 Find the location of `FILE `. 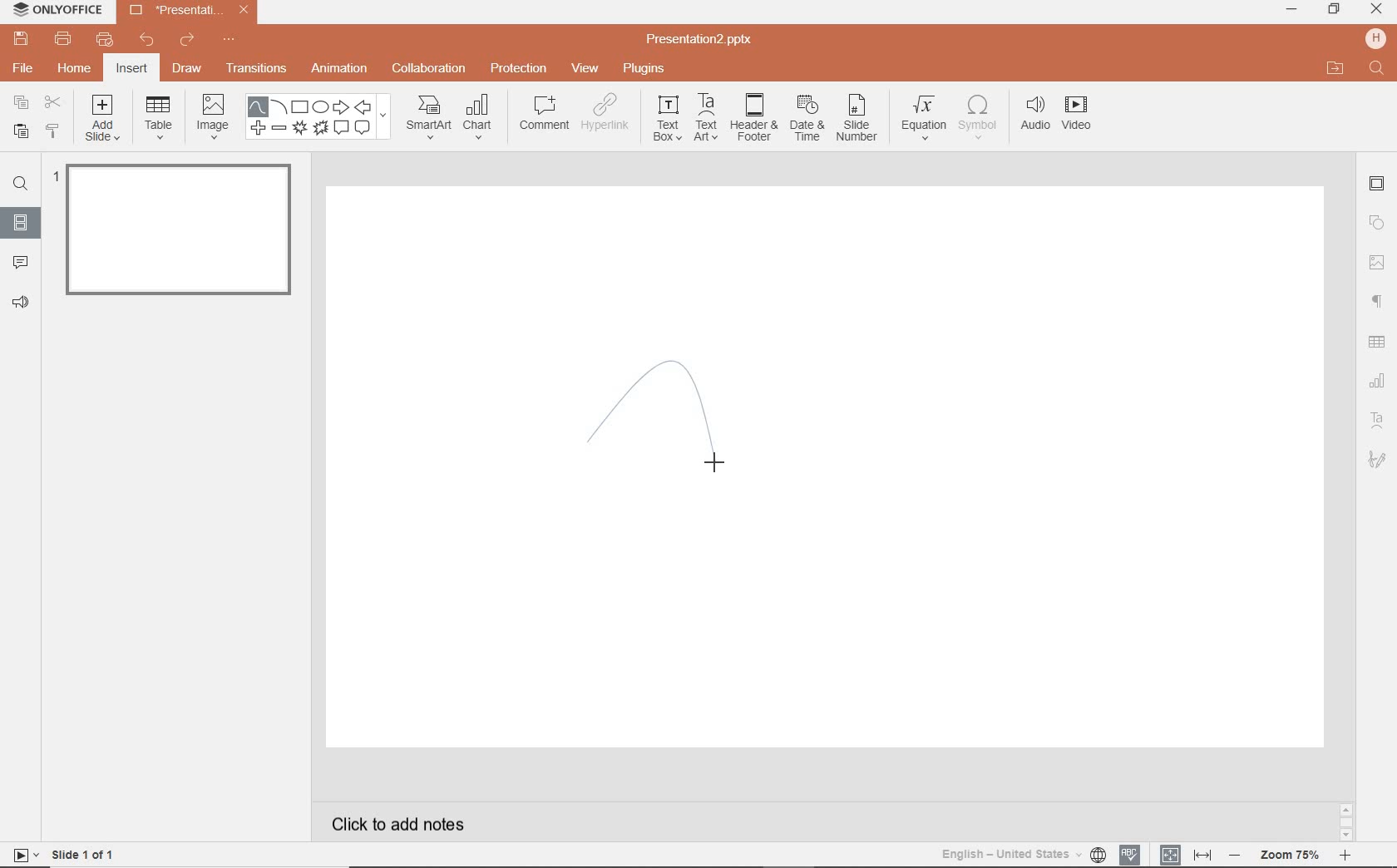

FILE  is located at coordinates (25, 70).